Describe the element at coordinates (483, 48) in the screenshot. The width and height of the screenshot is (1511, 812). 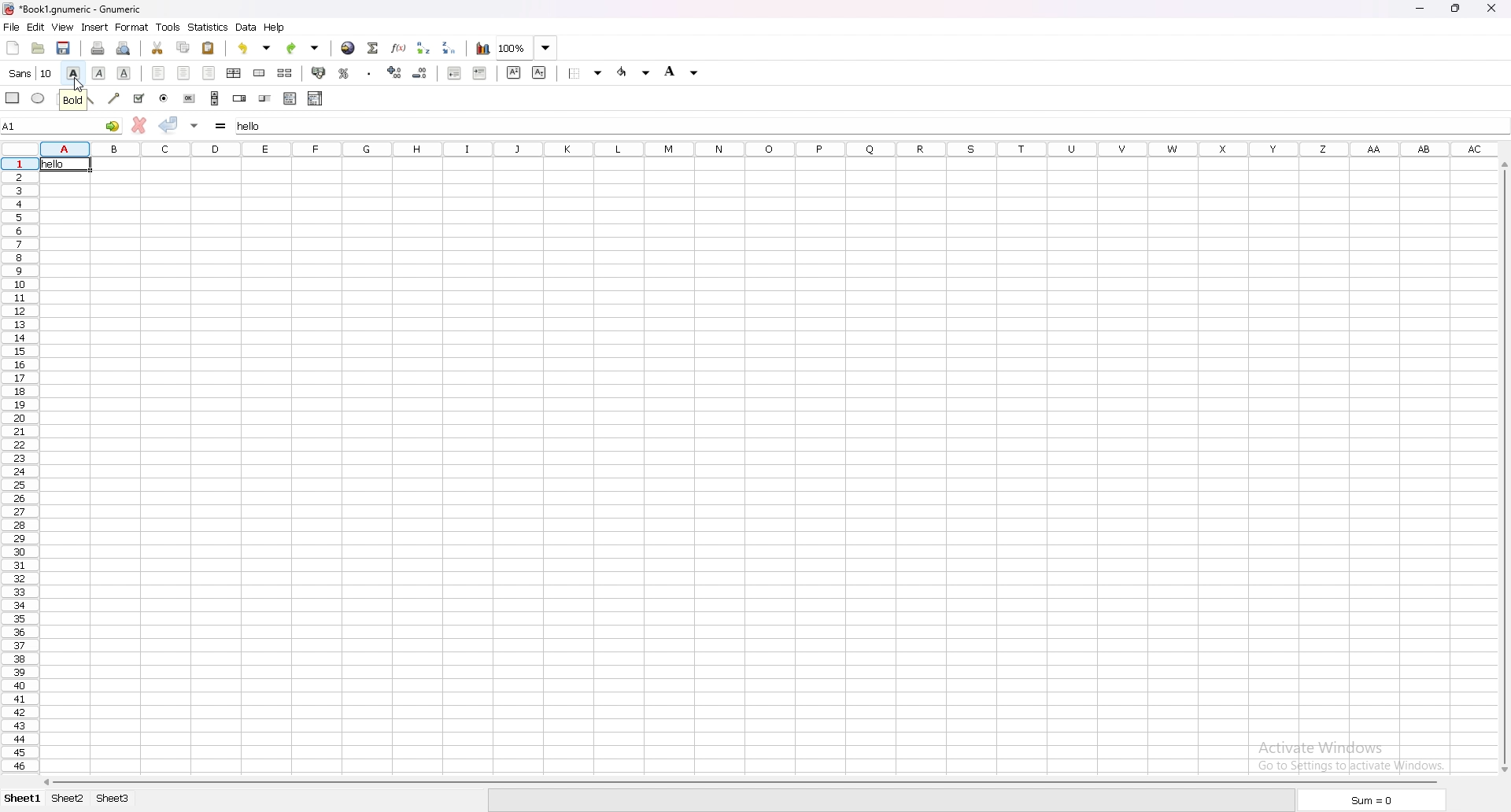
I see `chart` at that location.